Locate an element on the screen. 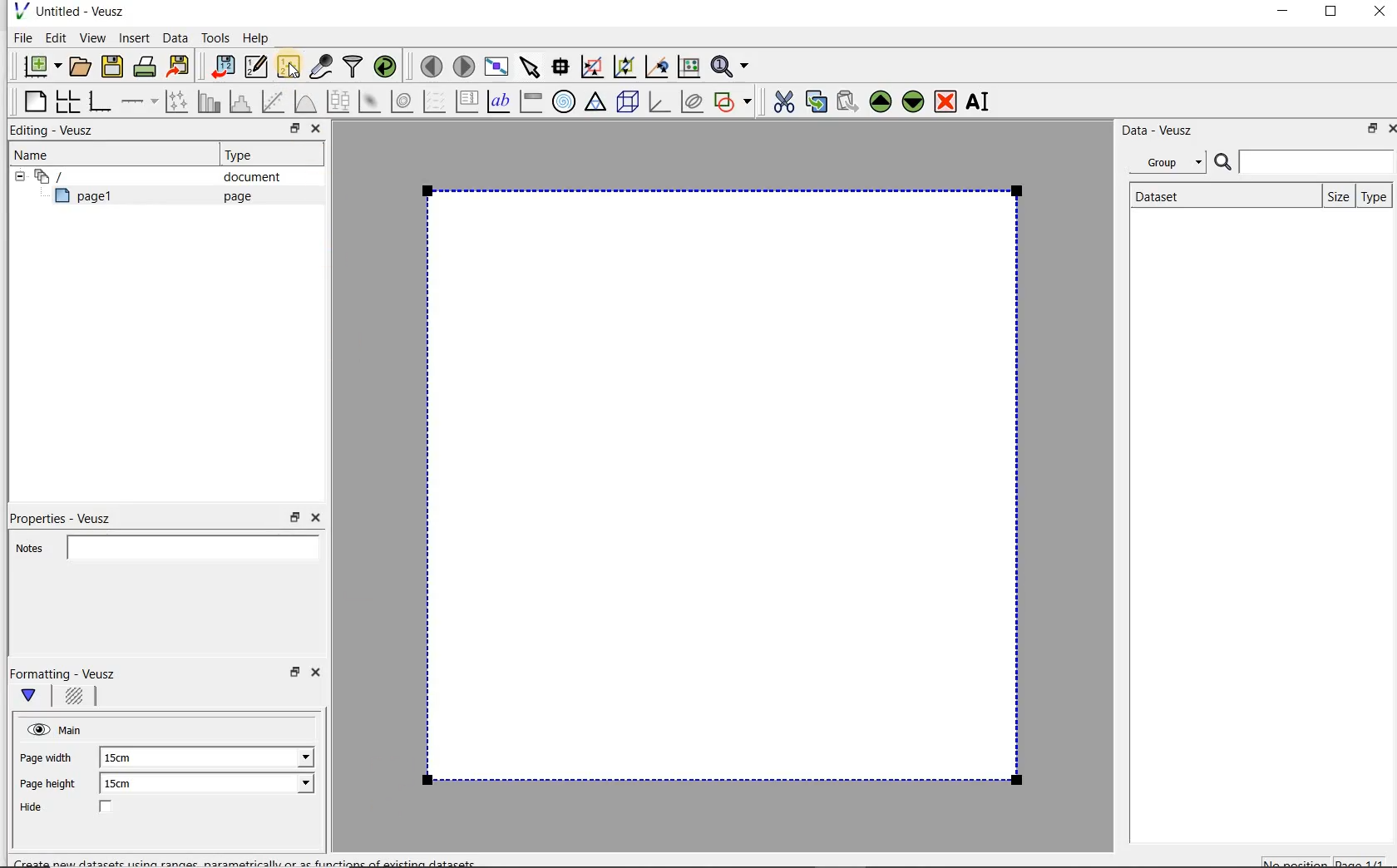 Image resolution: width=1397 pixels, height=868 pixels. new document is located at coordinates (38, 64).